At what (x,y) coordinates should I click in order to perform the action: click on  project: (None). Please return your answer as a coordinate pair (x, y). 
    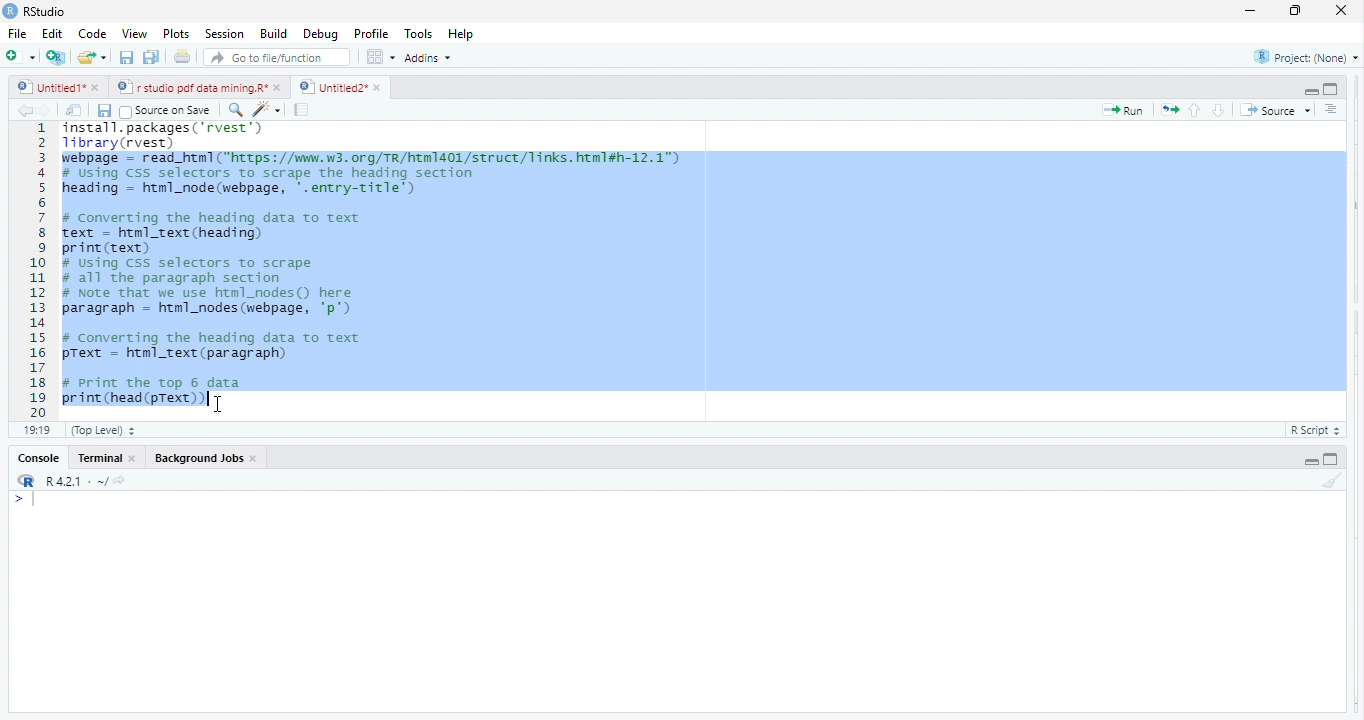
    Looking at the image, I should click on (1307, 60).